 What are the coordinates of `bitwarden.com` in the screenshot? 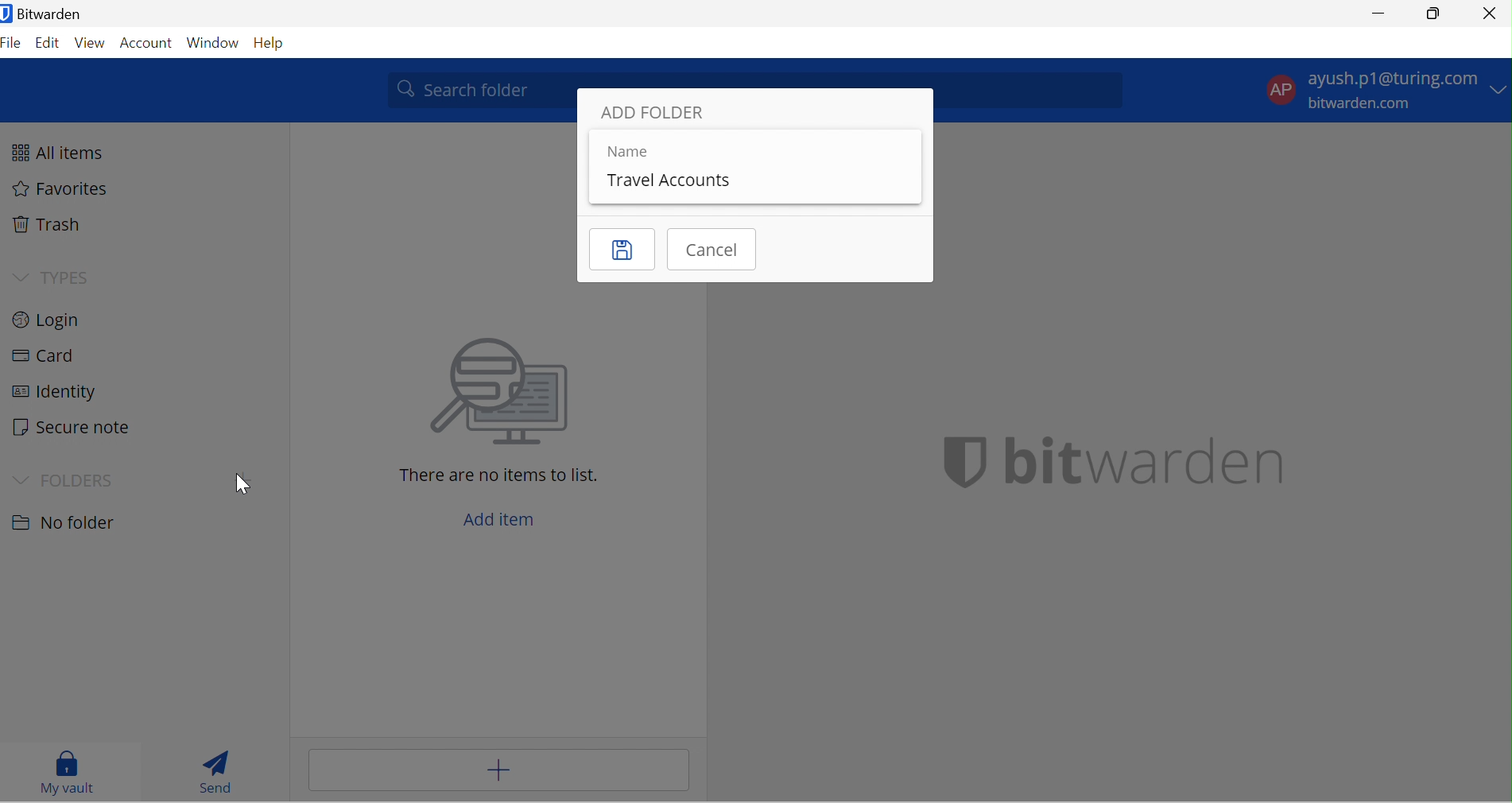 It's located at (1359, 104).